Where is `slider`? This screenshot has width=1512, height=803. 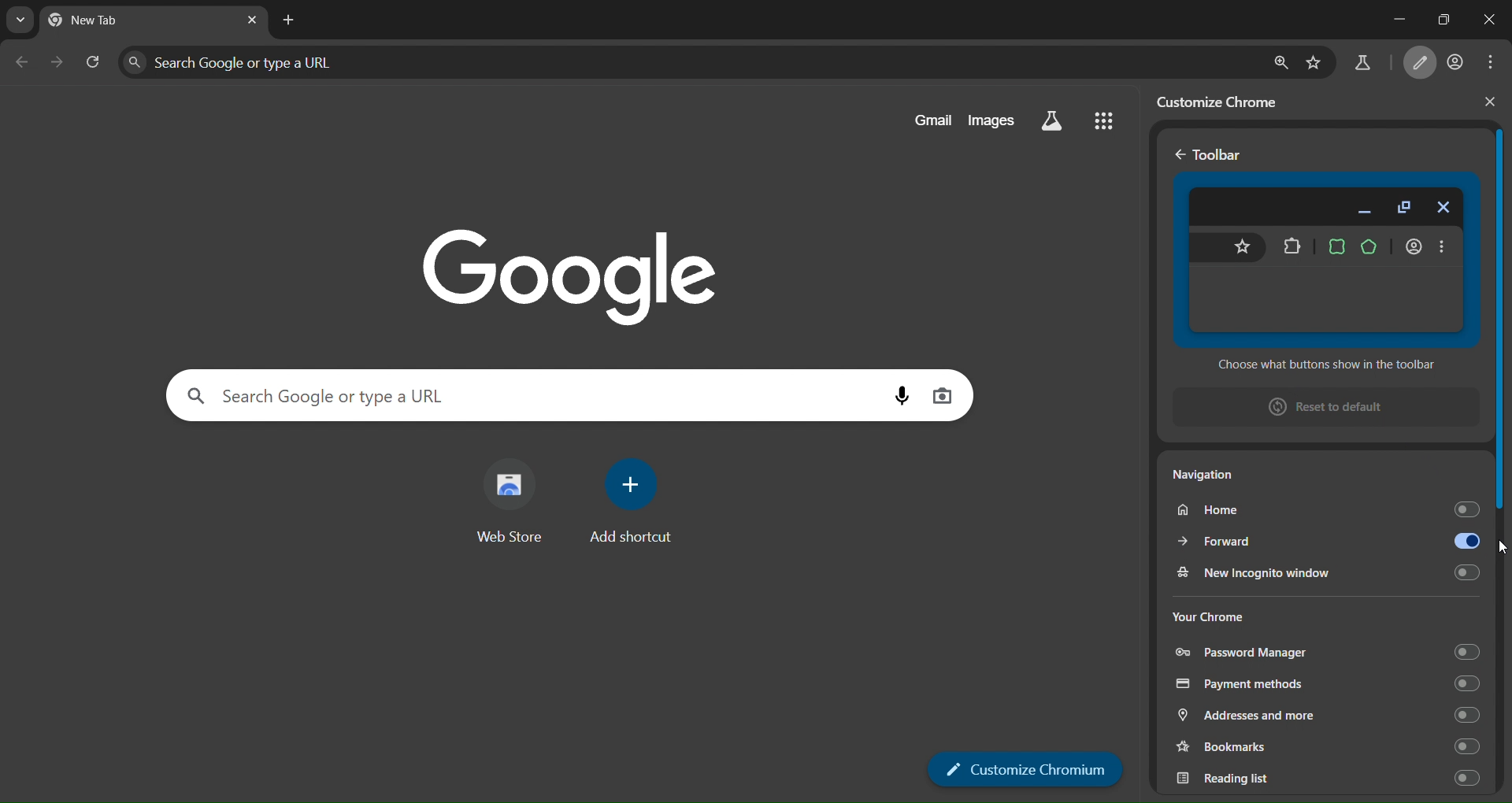
slider is located at coordinates (1503, 446).